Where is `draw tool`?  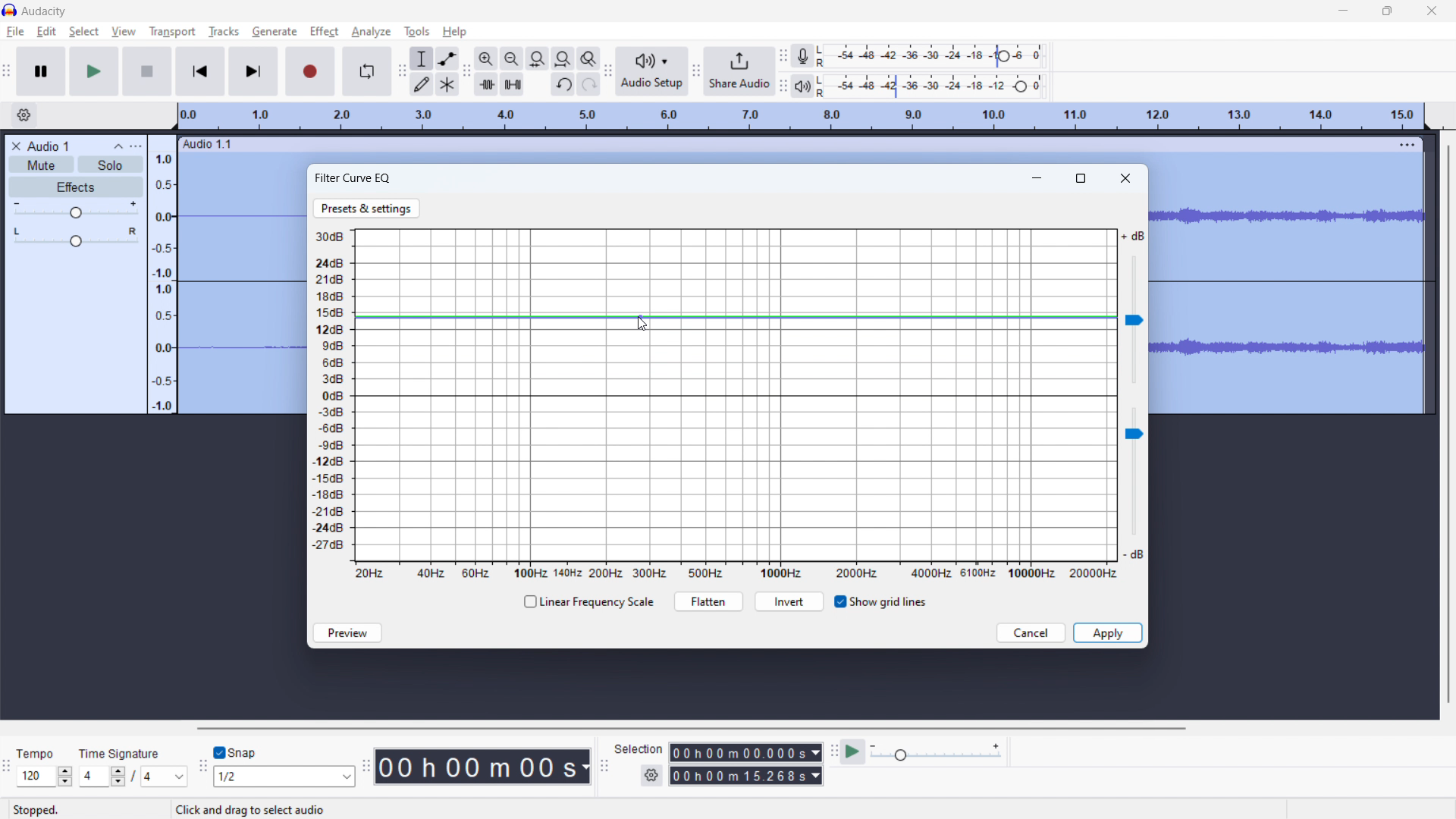 draw tool is located at coordinates (422, 83).